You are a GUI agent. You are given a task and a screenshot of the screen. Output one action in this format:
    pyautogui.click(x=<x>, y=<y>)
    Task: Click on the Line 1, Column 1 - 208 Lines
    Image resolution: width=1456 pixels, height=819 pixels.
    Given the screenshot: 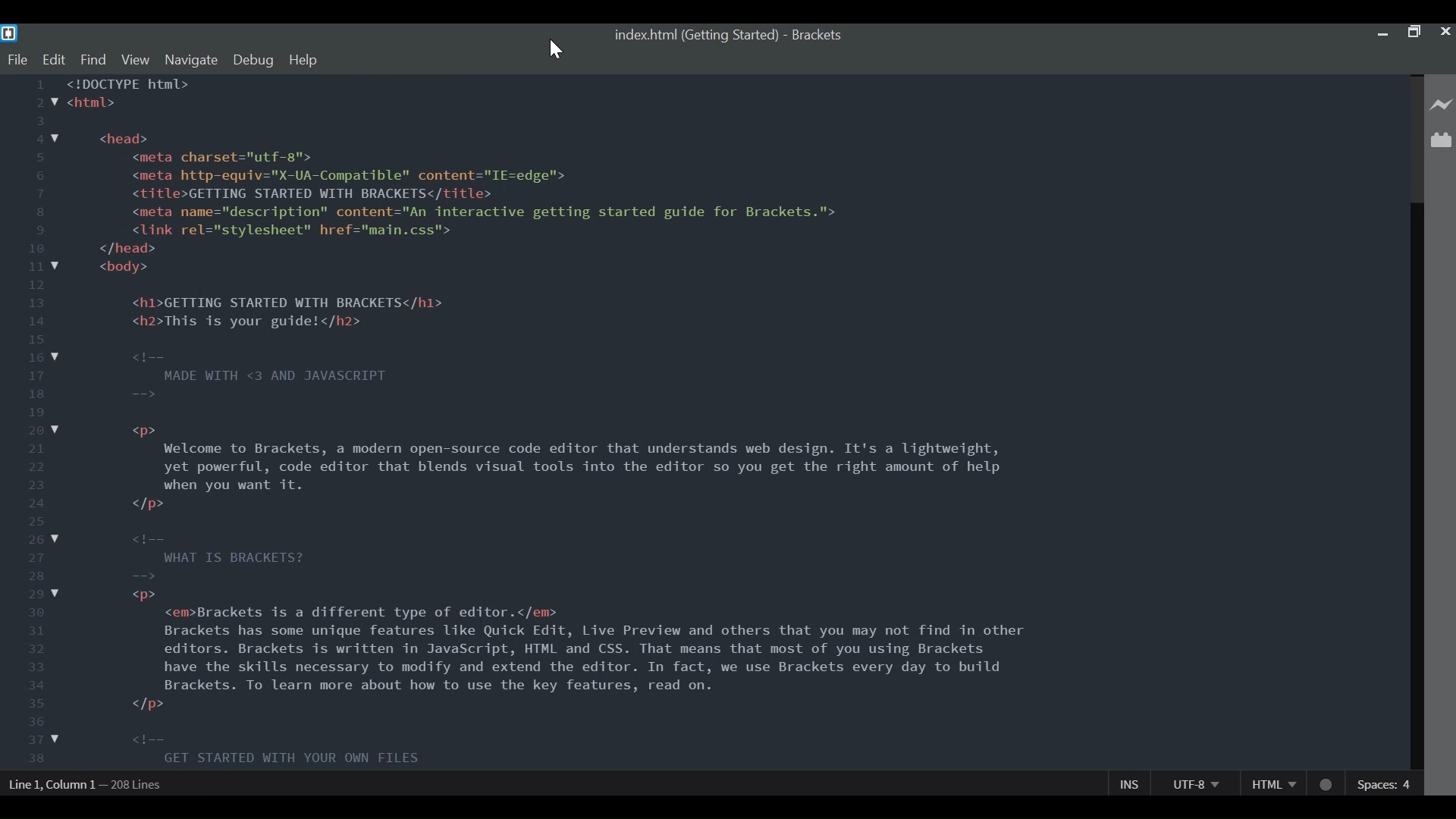 What is the action you would take?
    pyautogui.click(x=87, y=786)
    